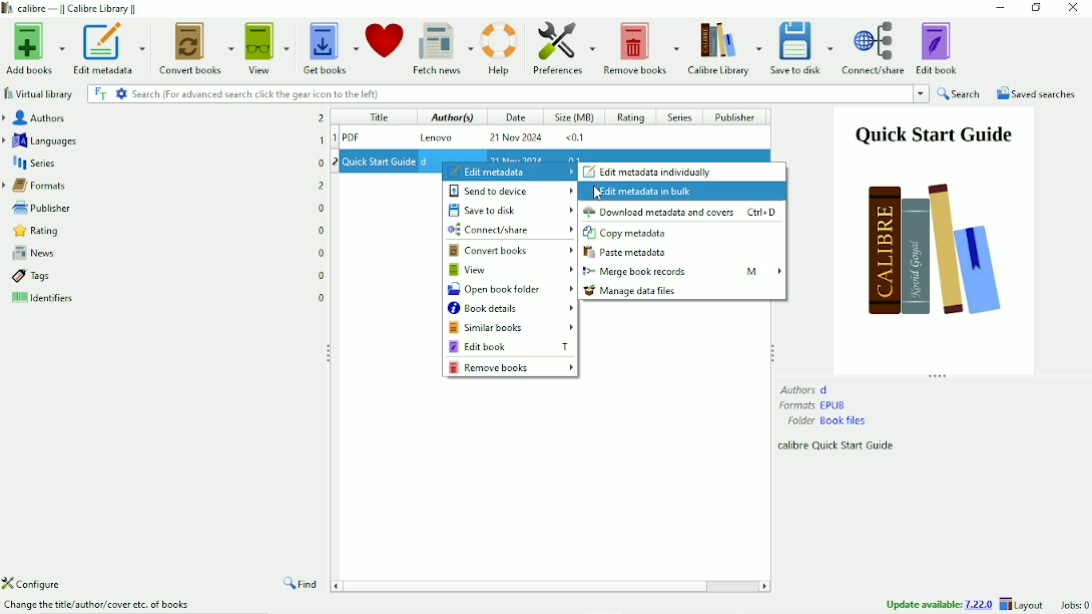 This screenshot has height=614, width=1092. What do you see at coordinates (302, 585) in the screenshot?
I see `Find` at bounding box center [302, 585].